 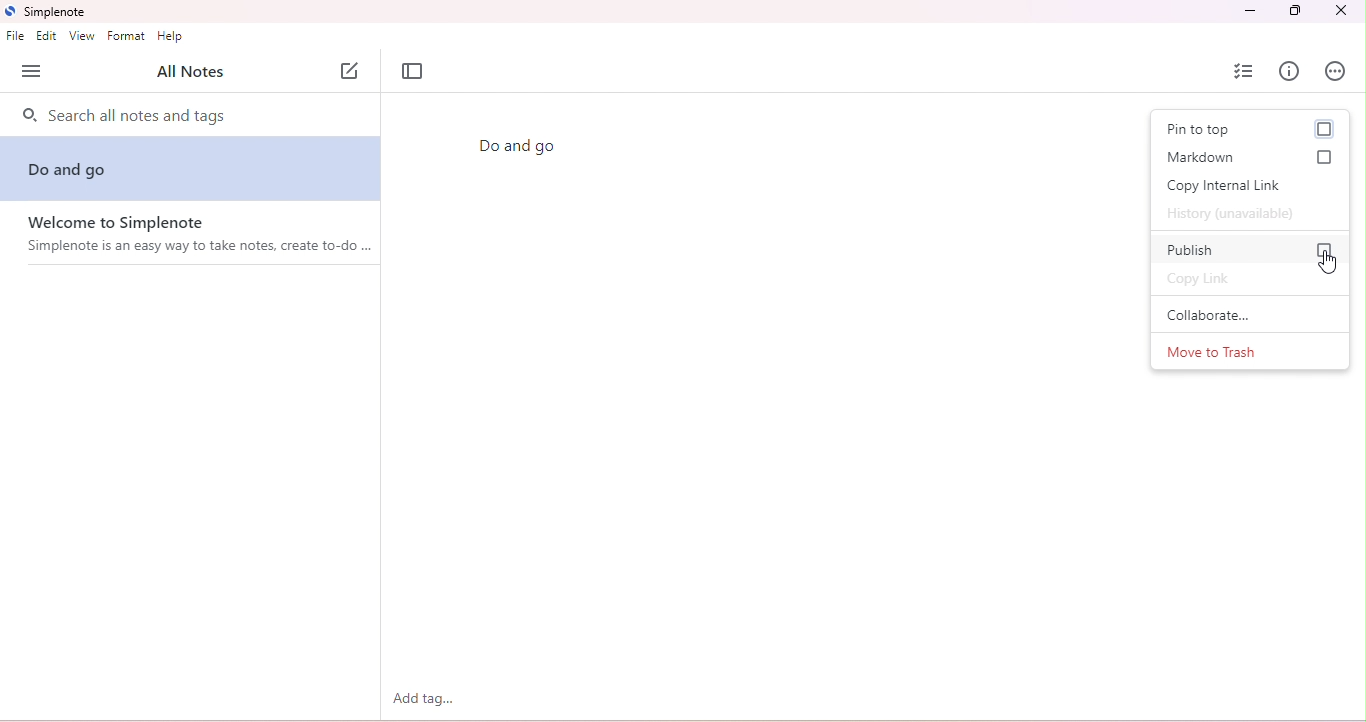 I want to click on collaborate, so click(x=1243, y=315).